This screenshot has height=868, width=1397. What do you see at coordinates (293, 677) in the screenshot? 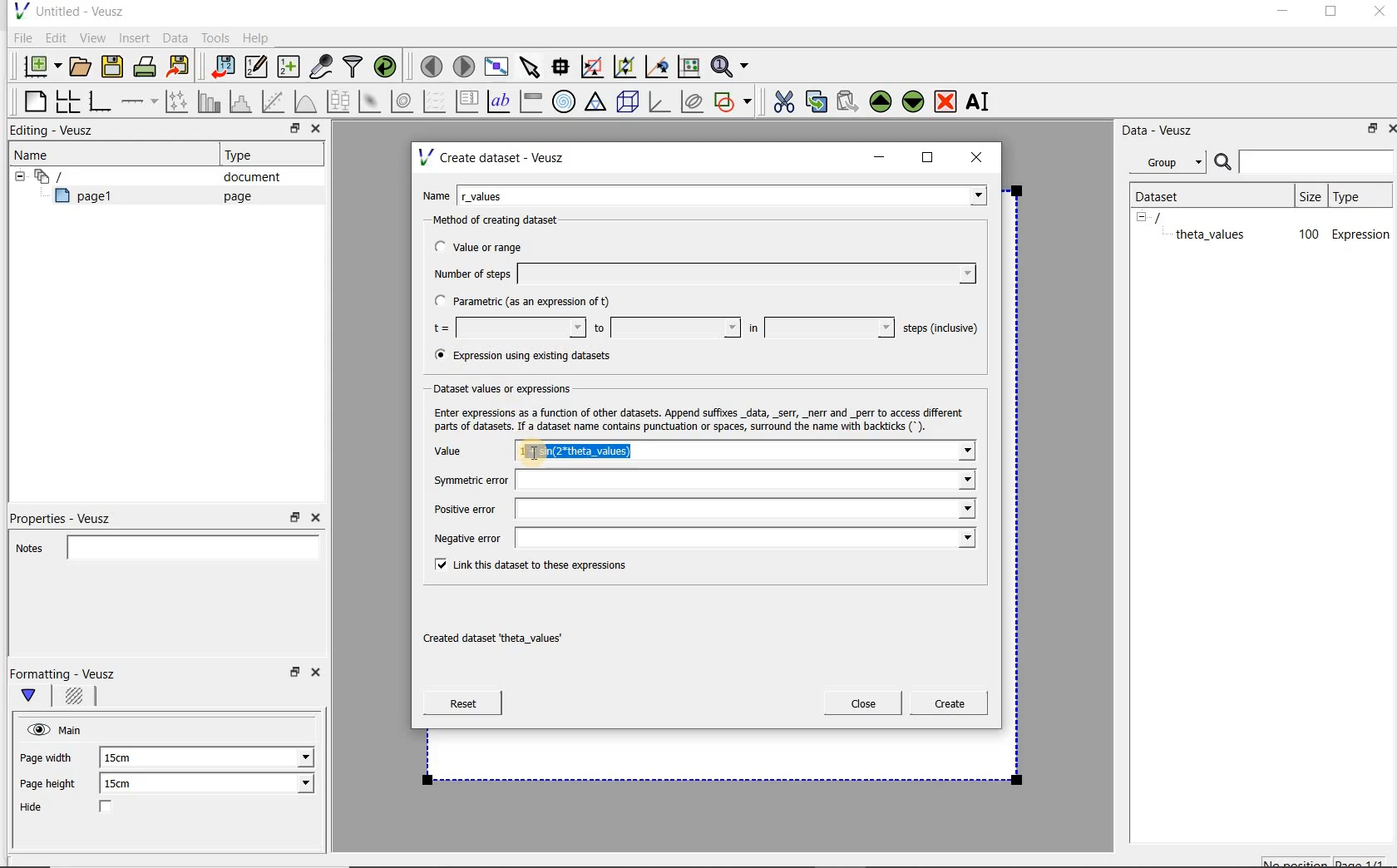
I see `restore down` at bounding box center [293, 677].